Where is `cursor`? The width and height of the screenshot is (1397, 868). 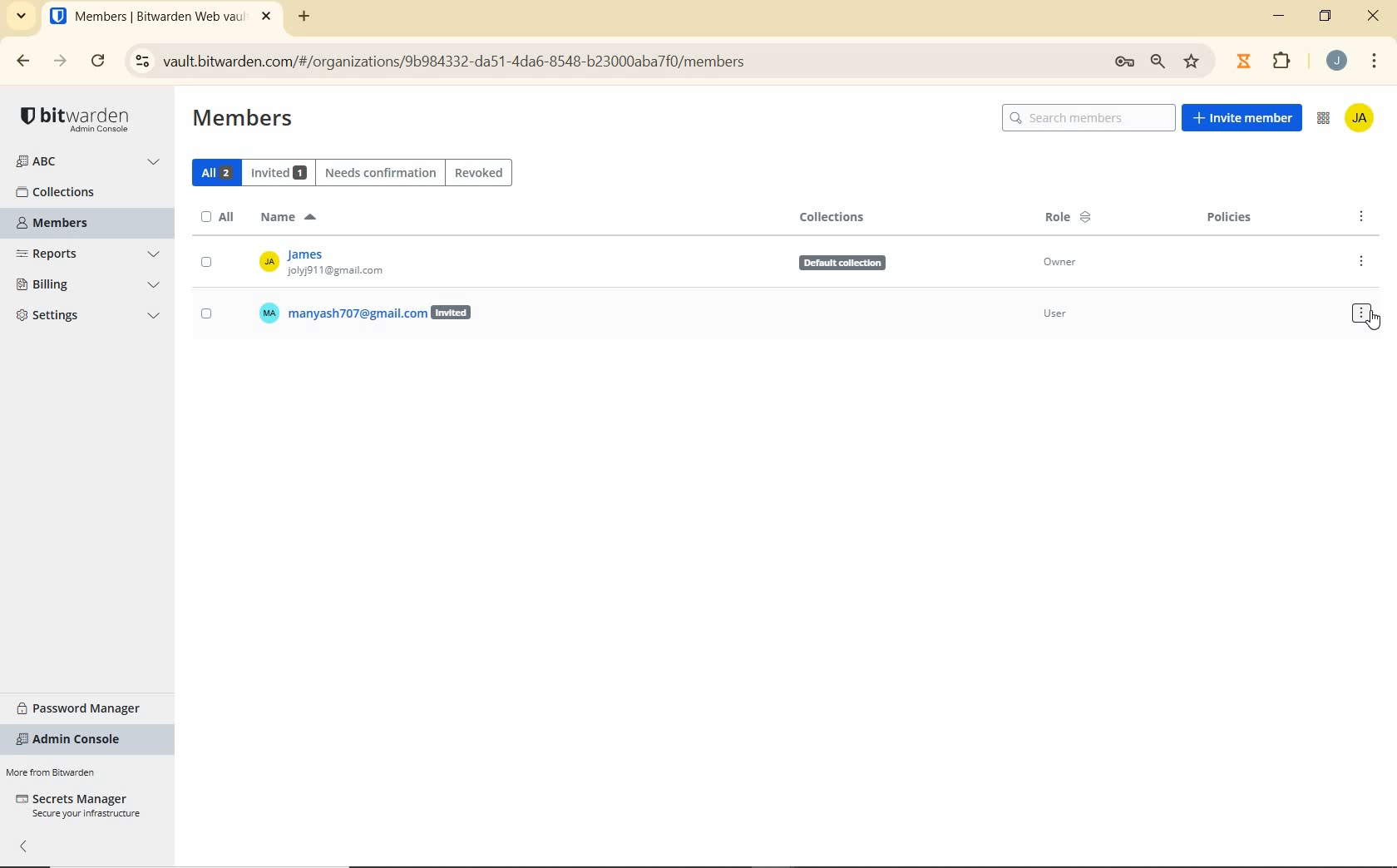
cursor is located at coordinates (1370, 320).